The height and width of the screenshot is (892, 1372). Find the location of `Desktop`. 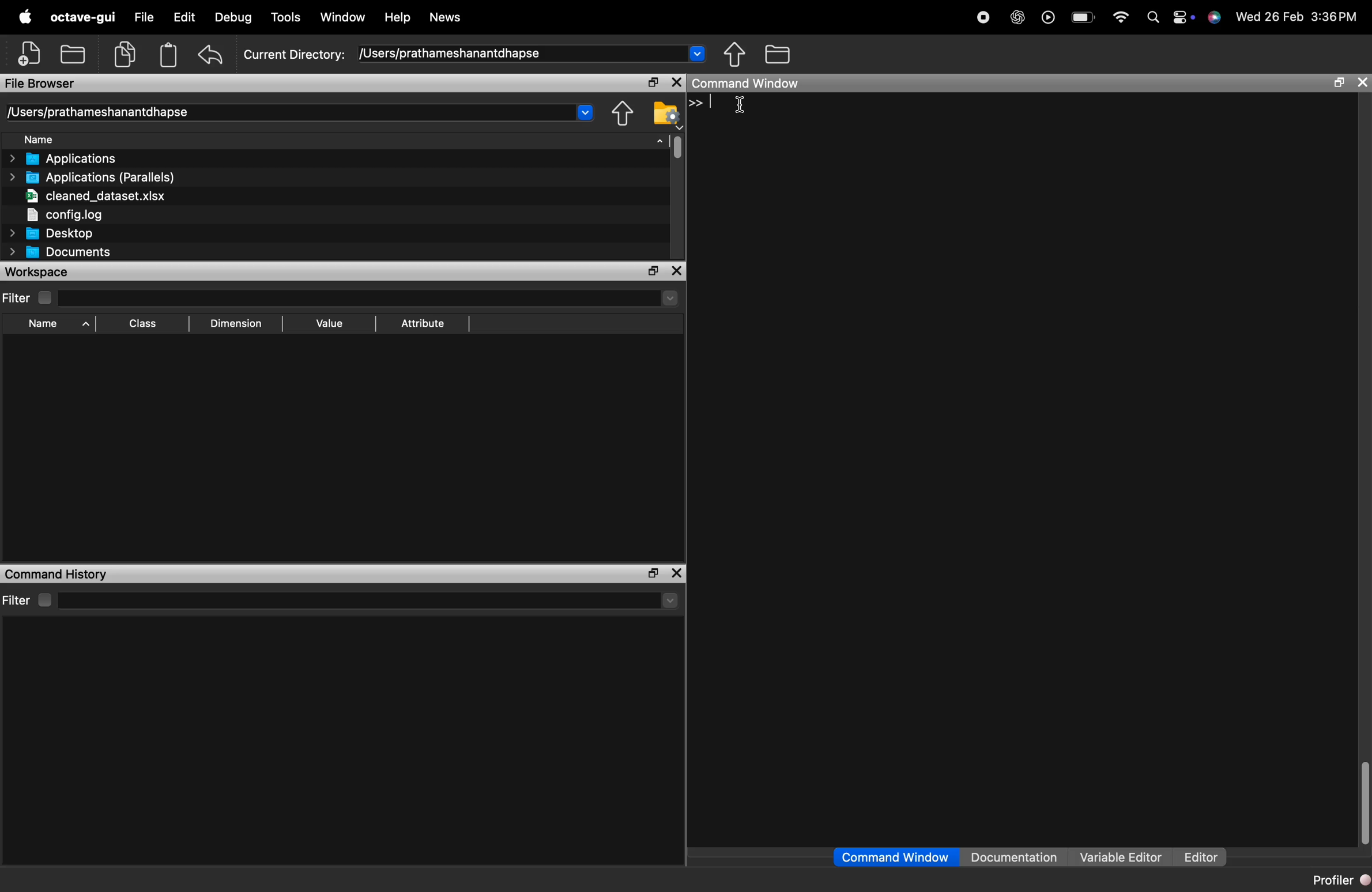

Desktop is located at coordinates (66, 233).